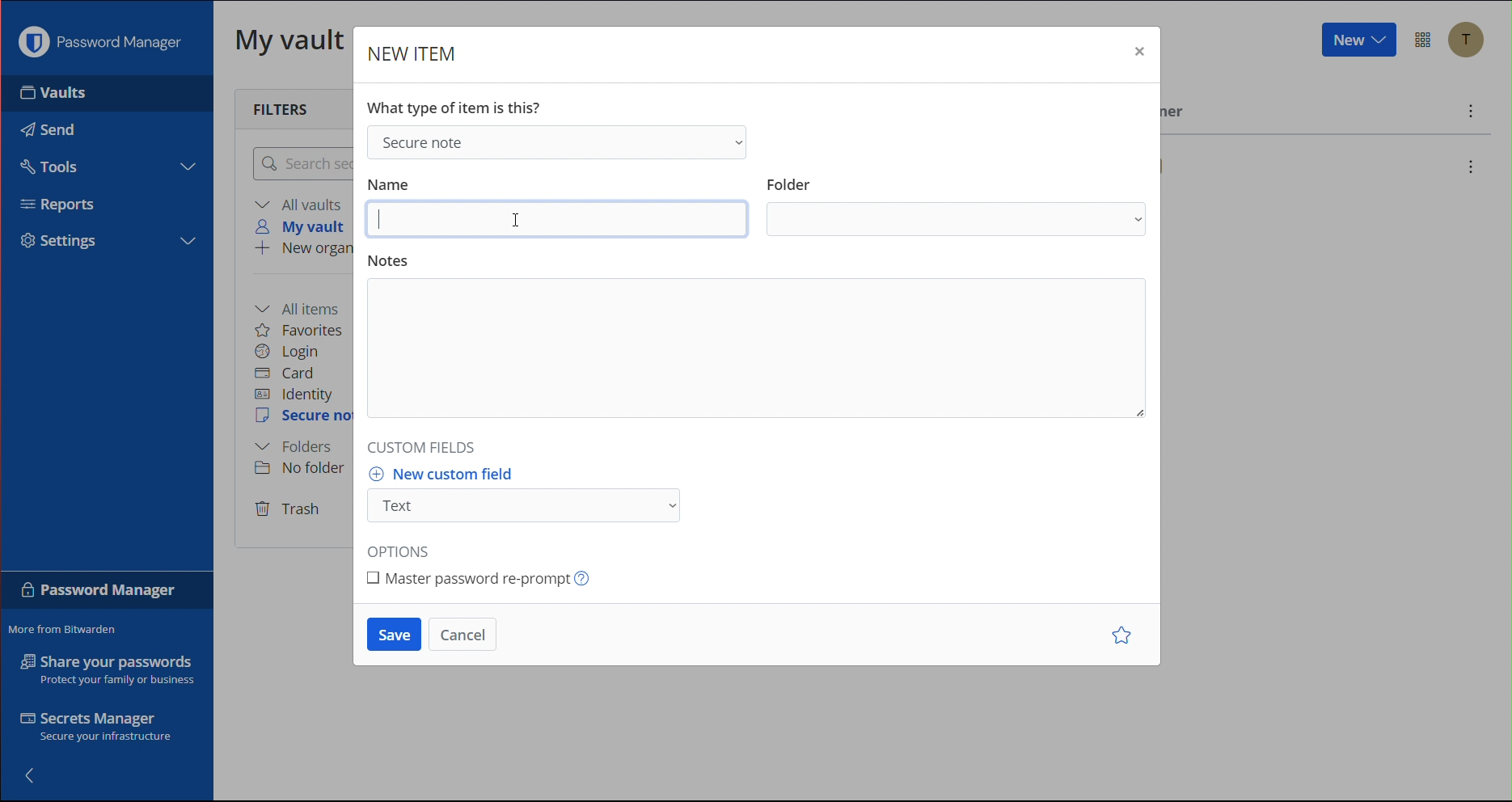 The width and height of the screenshot is (1512, 802). Describe the element at coordinates (405, 547) in the screenshot. I see `Options` at that location.